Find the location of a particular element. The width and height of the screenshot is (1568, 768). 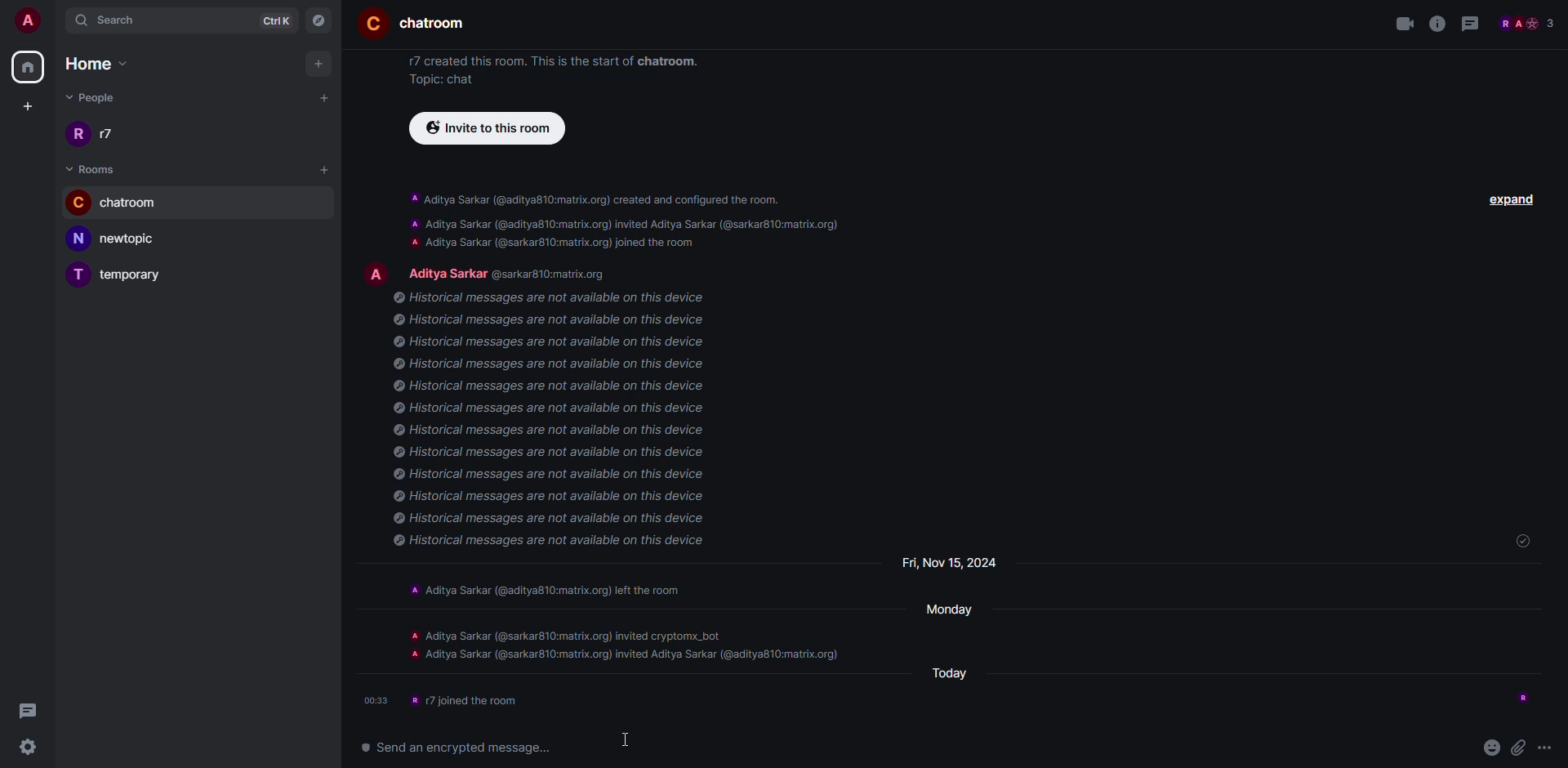

time is located at coordinates (376, 699).